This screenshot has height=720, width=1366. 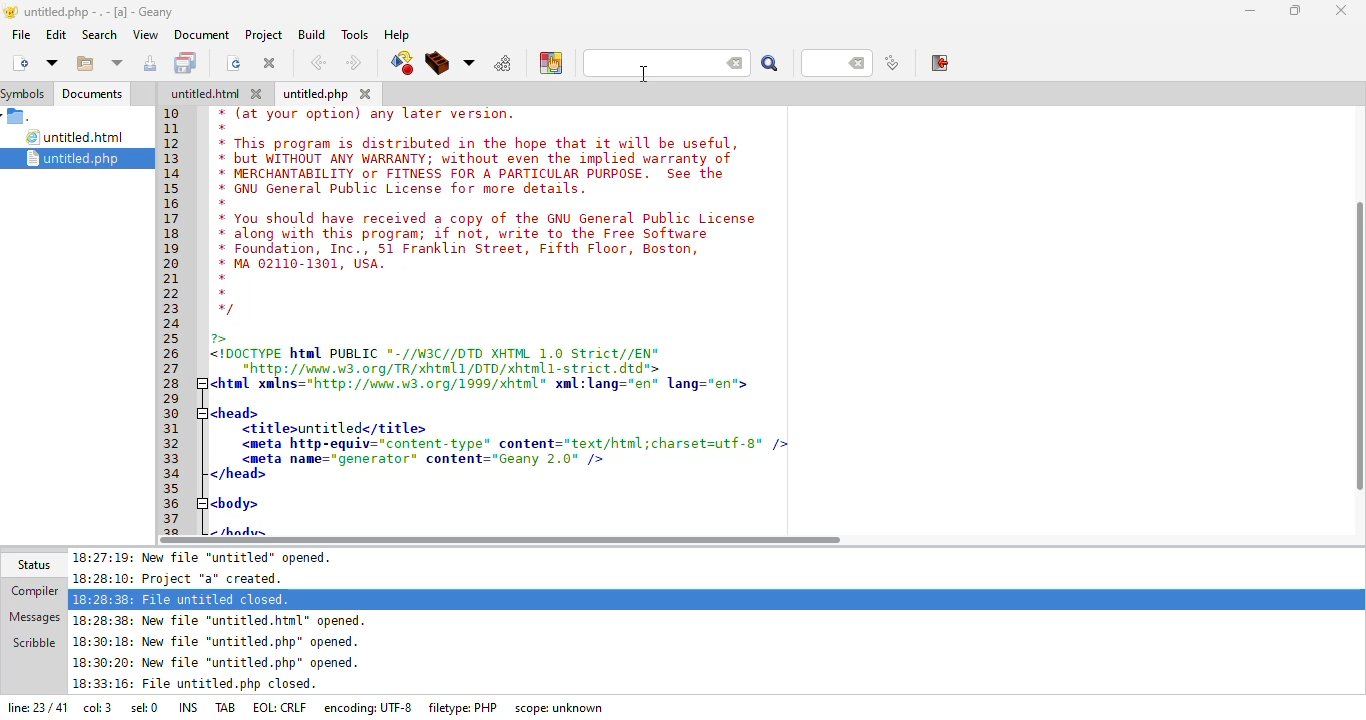 What do you see at coordinates (437, 355) in the screenshot?
I see `<!DOCTYPE html PUBLIC "-//W3C//DTD XHTML 1.0 Strict//EN"` at bounding box center [437, 355].